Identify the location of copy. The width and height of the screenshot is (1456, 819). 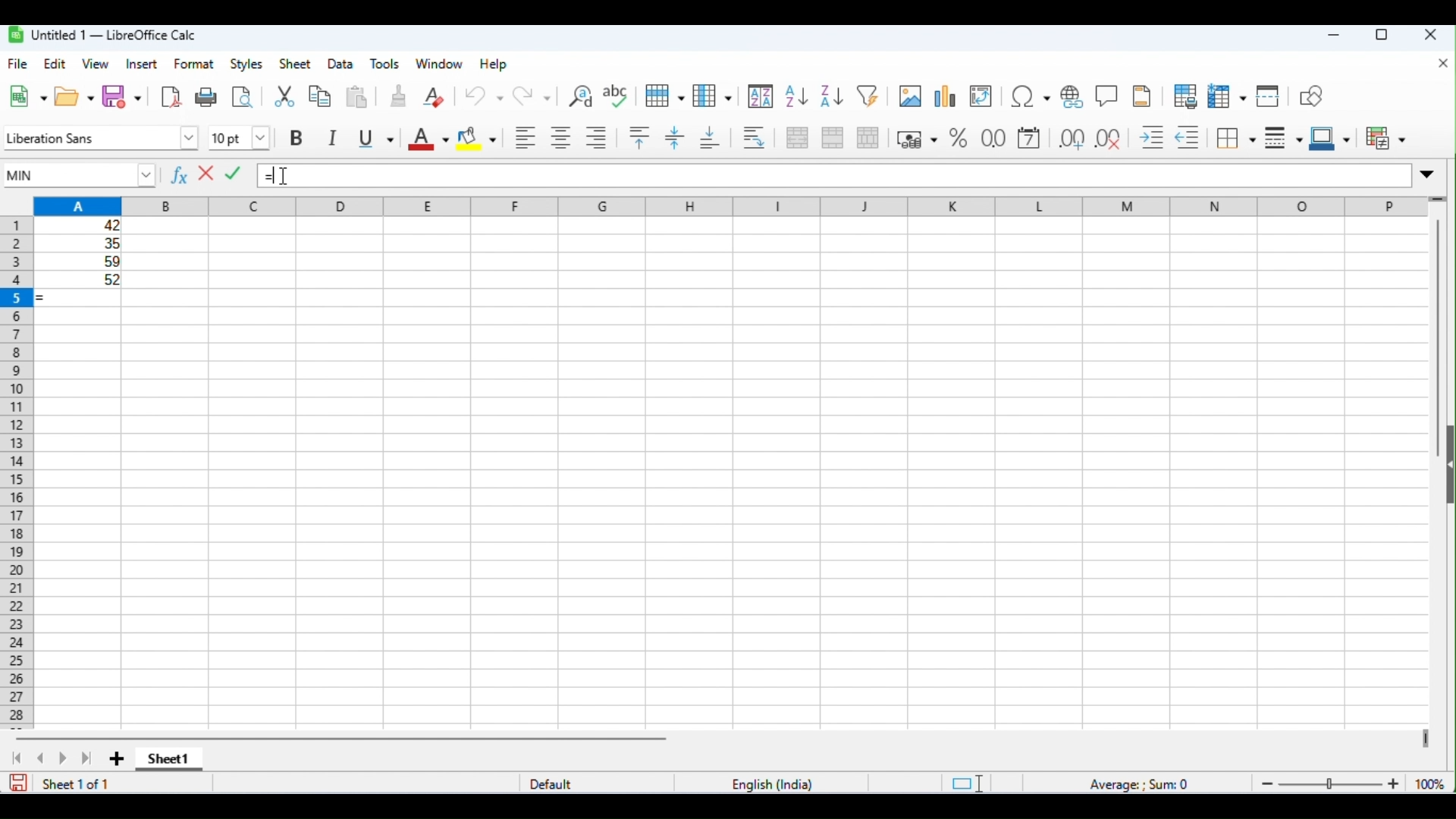
(322, 96).